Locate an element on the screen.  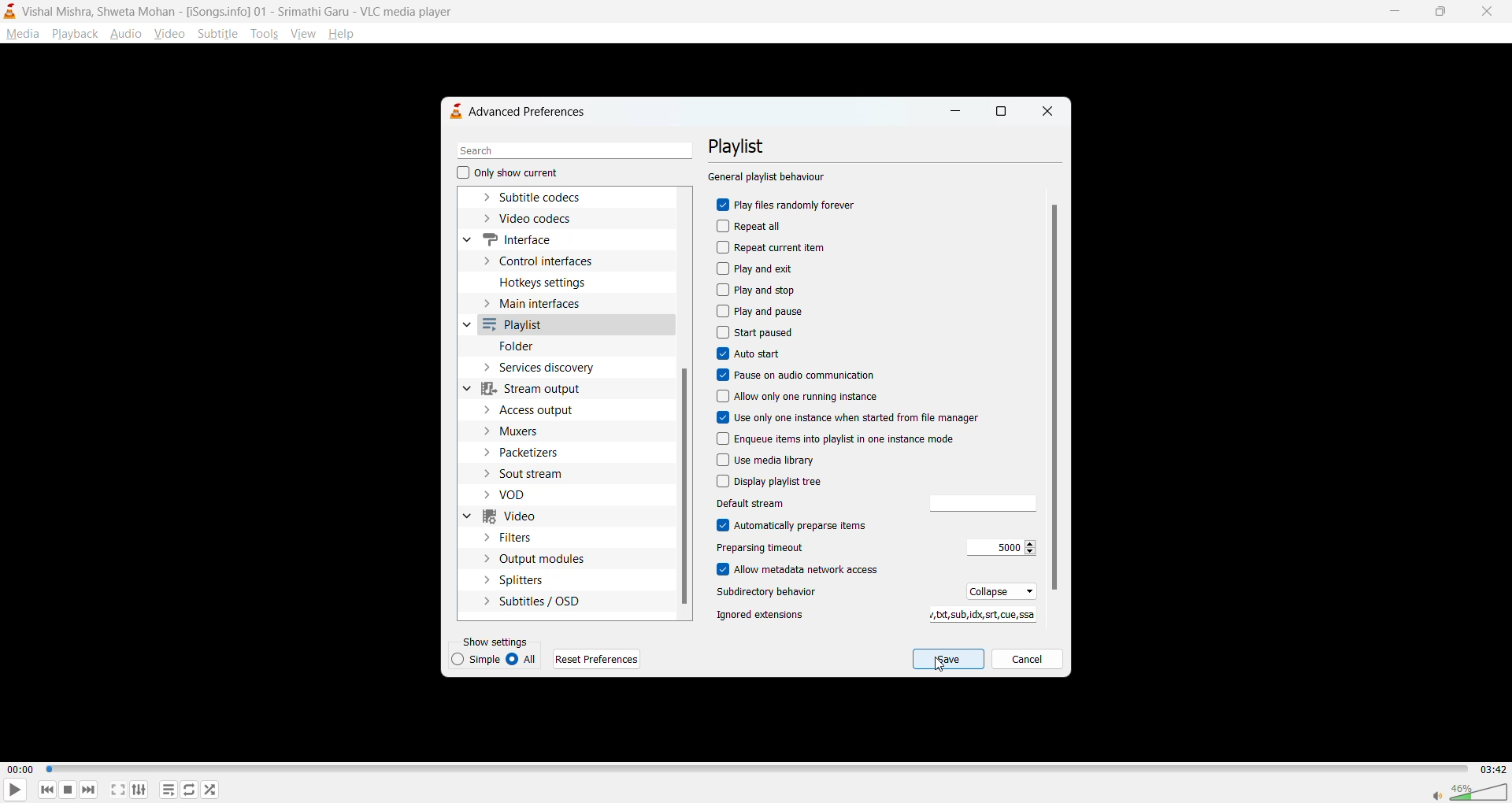
use only one instance  is located at coordinates (849, 418).